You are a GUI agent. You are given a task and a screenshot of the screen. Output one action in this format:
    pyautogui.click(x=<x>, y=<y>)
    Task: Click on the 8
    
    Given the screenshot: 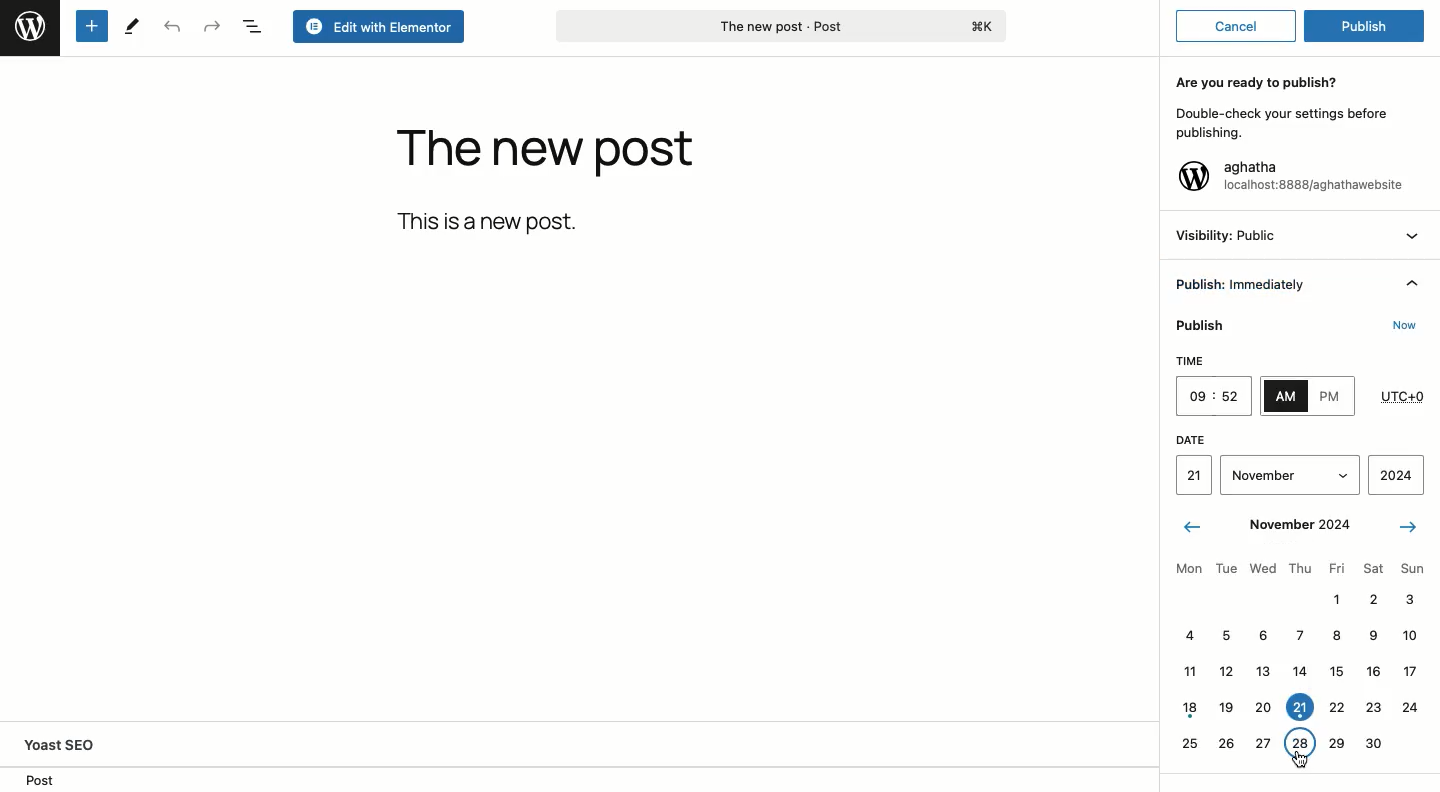 What is the action you would take?
    pyautogui.click(x=1337, y=636)
    